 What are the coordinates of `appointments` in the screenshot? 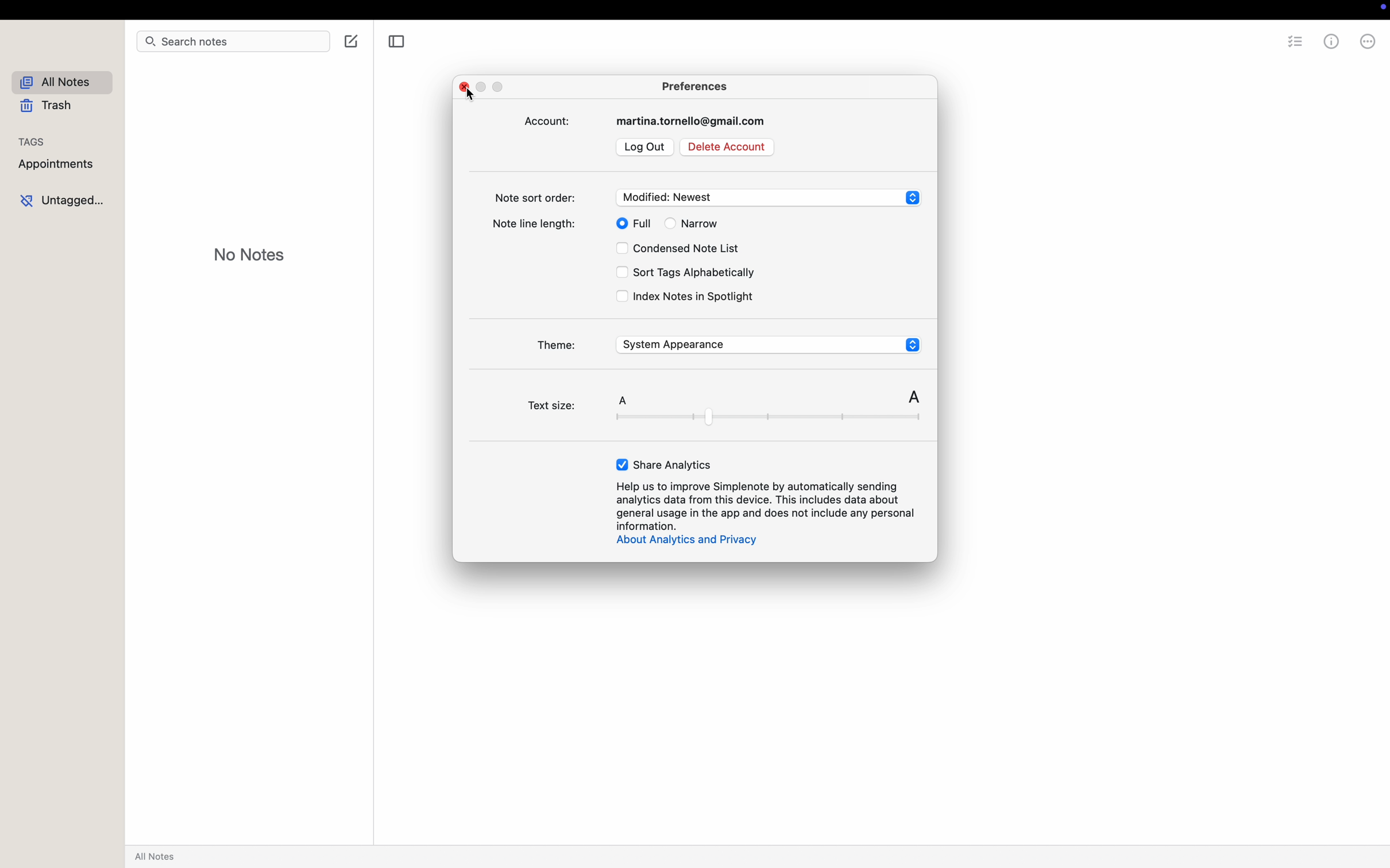 It's located at (58, 163).